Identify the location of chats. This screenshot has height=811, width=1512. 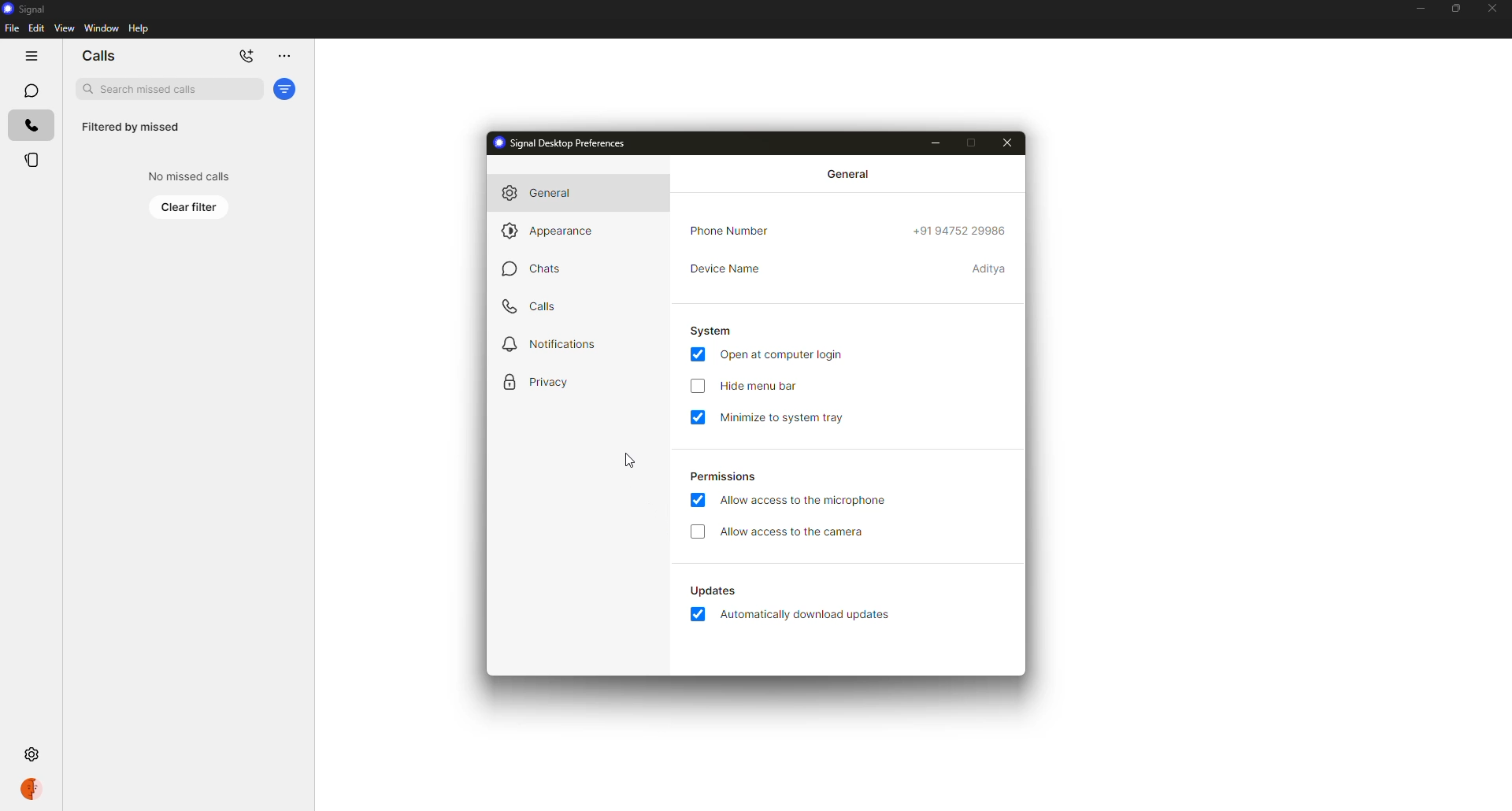
(29, 90).